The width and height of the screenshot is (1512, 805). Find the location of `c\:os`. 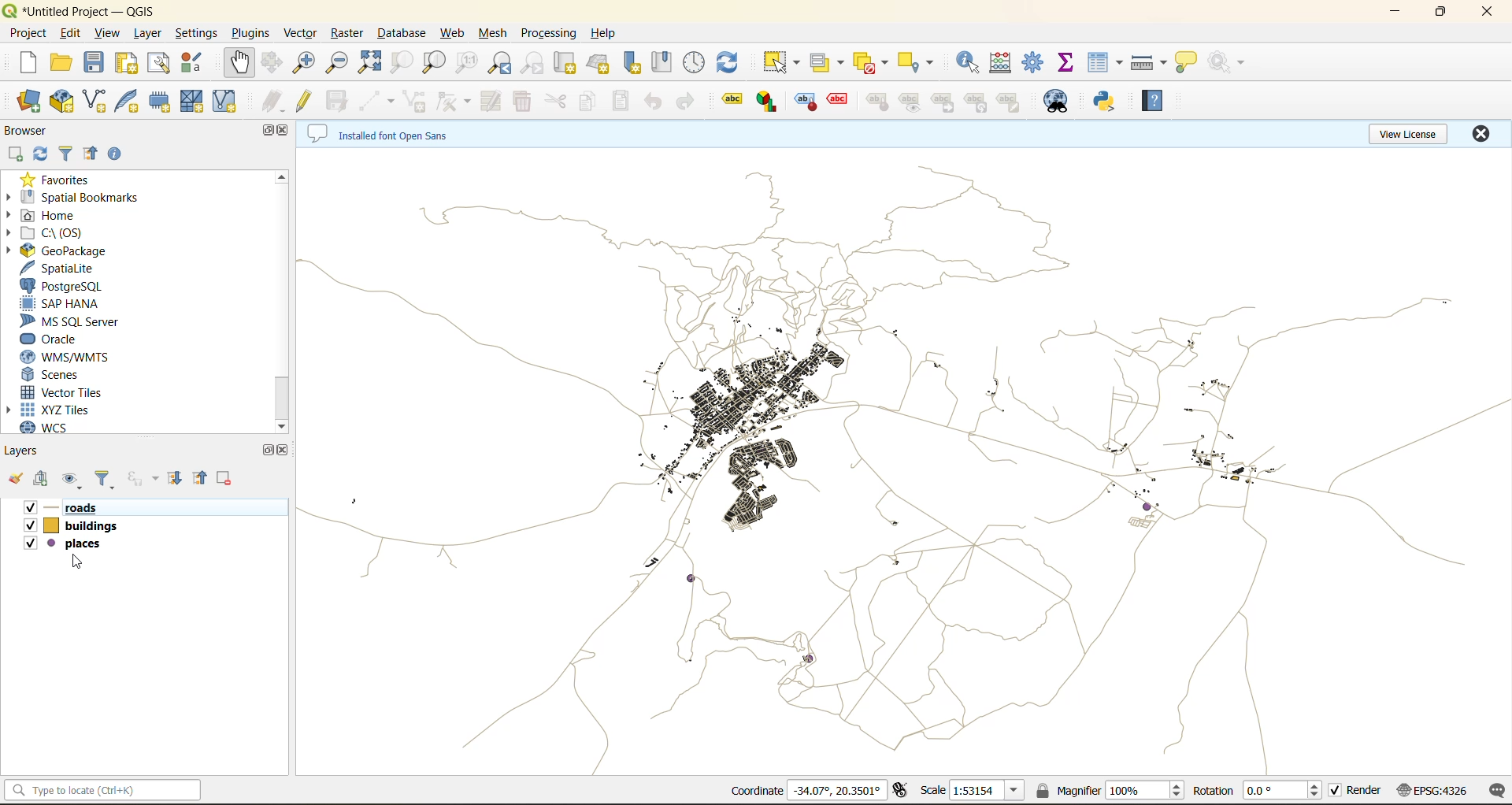

c\:os is located at coordinates (66, 231).